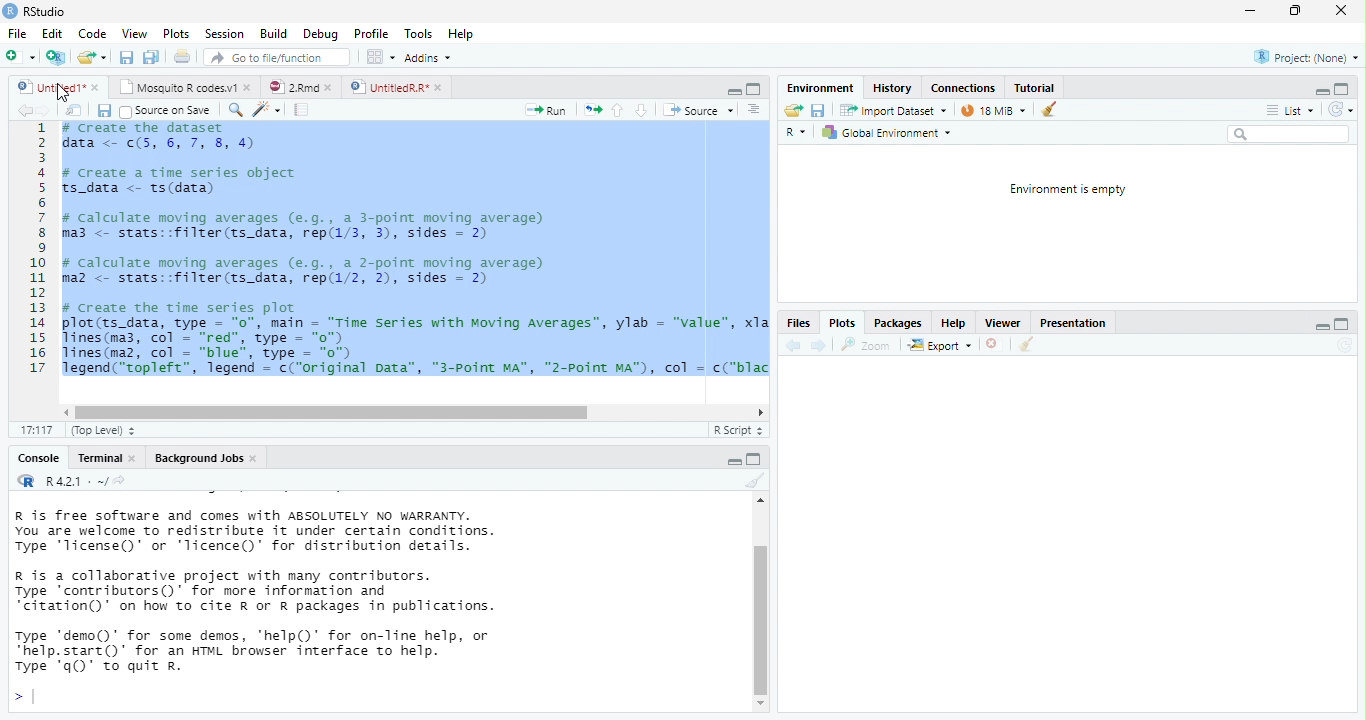  I want to click on wrokspace pan, so click(379, 57).